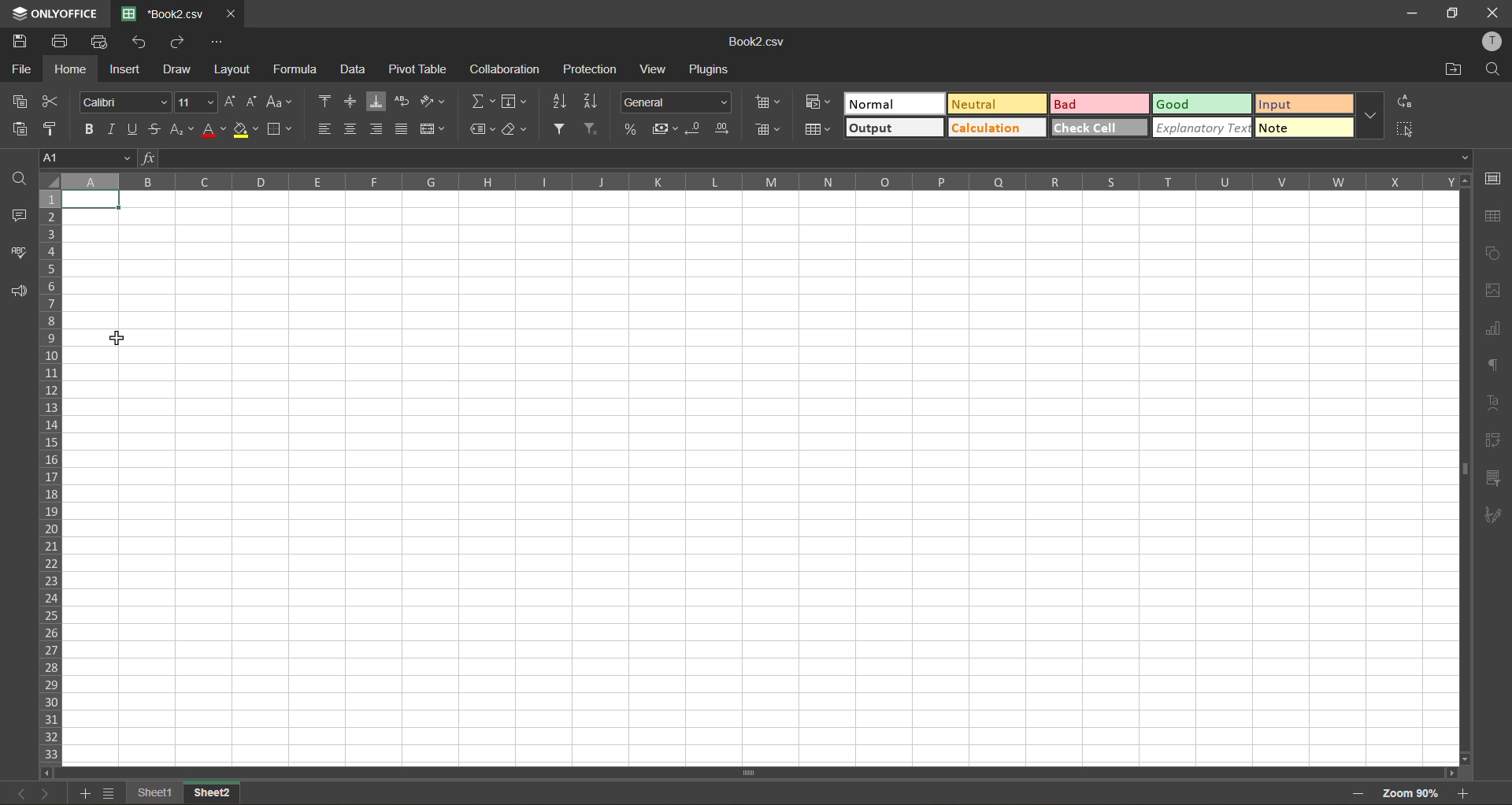 This screenshot has height=805, width=1512. Describe the element at coordinates (1461, 759) in the screenshot. I see `move down` at that location.